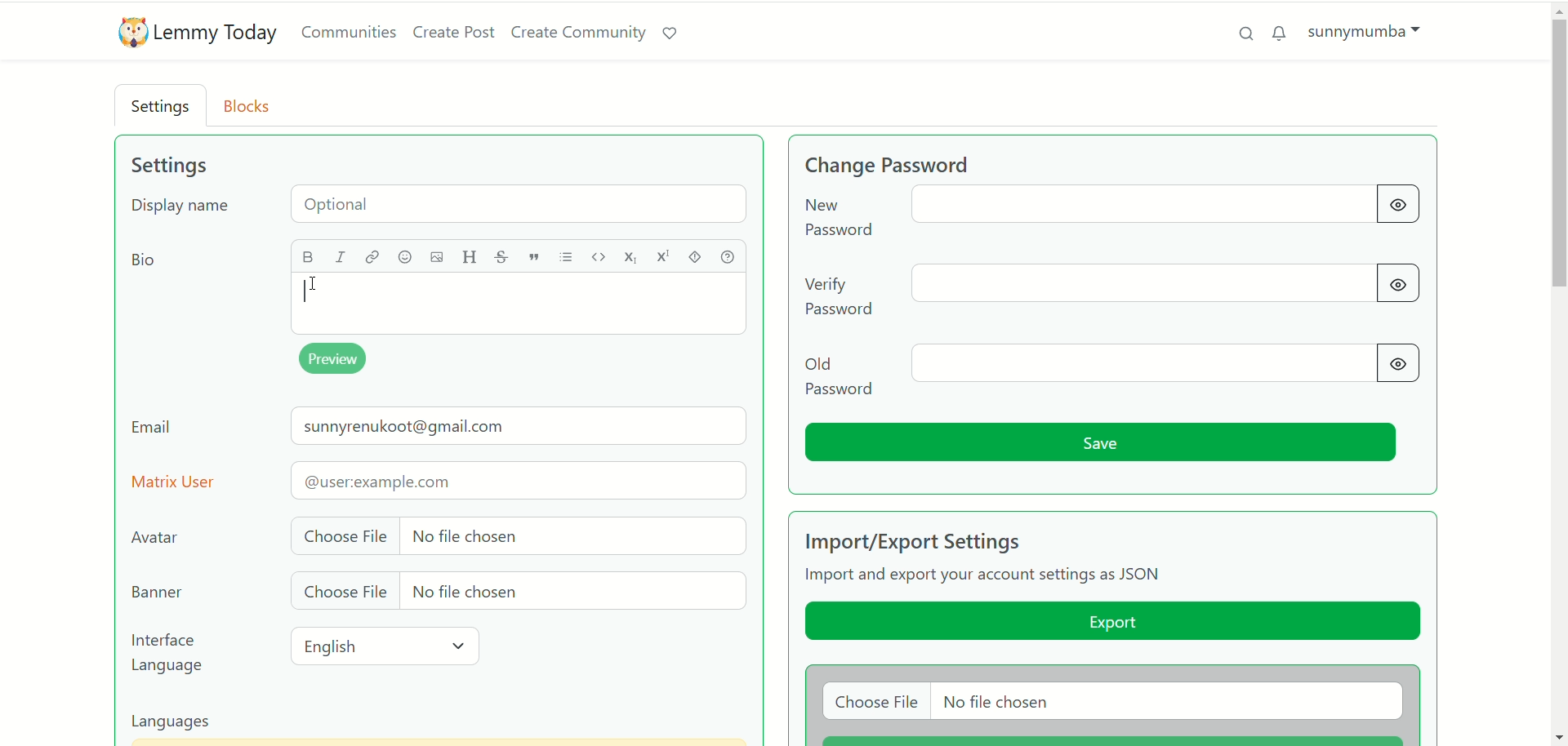 Image resolution: width=1568 pixels, height=746 pixels. I want to click on display name, so click(443, 207).